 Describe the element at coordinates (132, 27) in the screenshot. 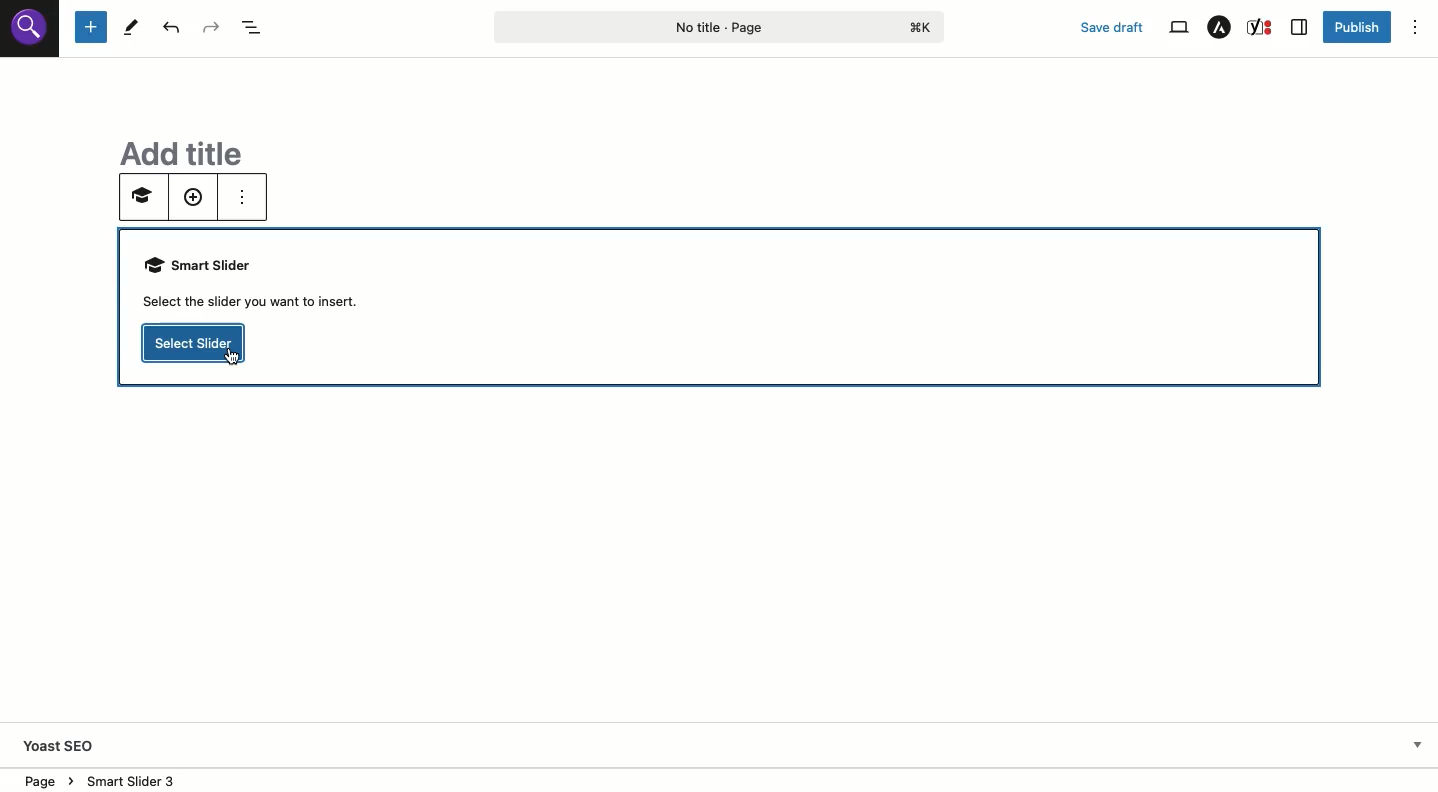

I see `Tools` at that location.